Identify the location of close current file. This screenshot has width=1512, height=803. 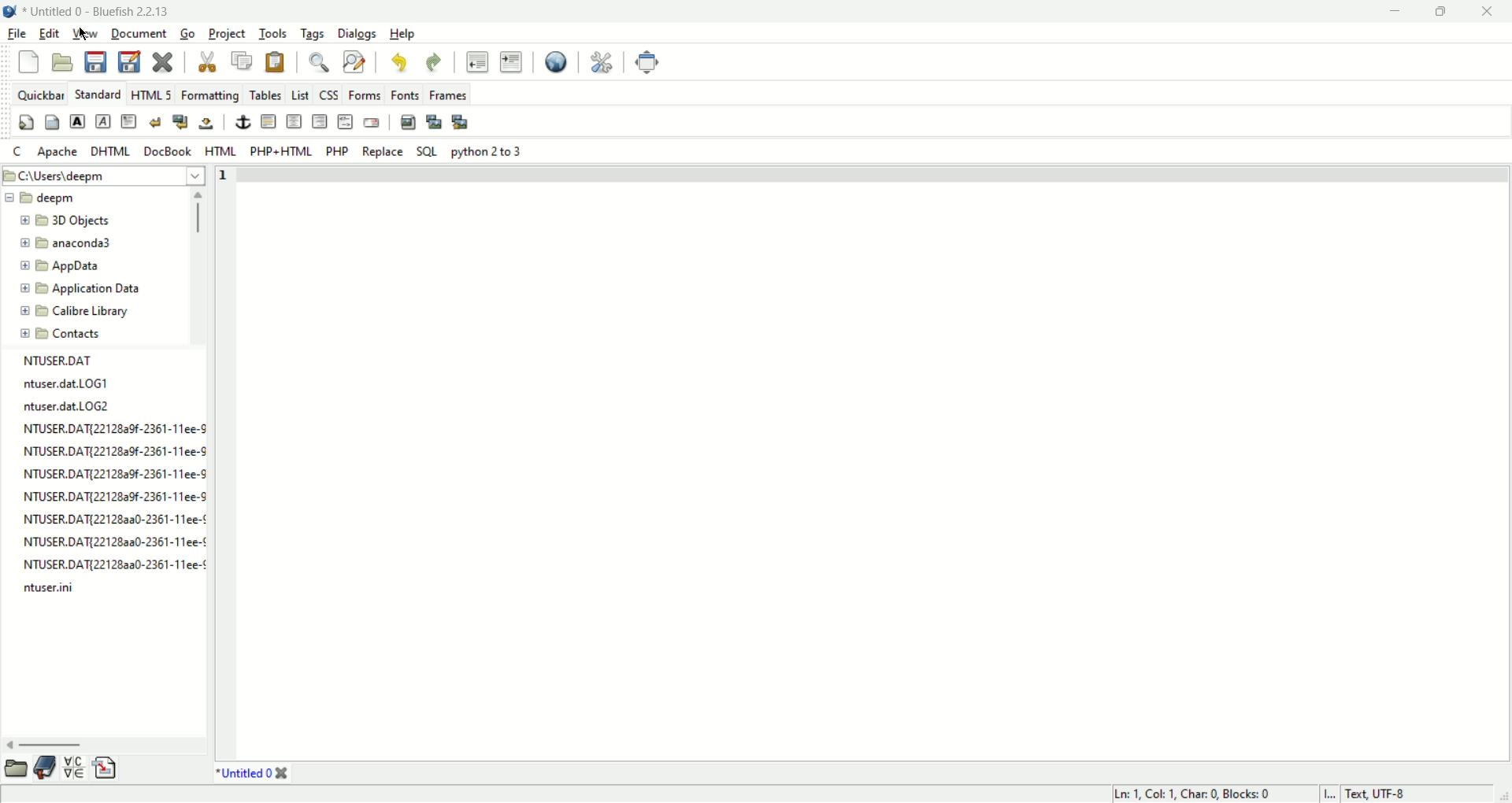
(161, 61).